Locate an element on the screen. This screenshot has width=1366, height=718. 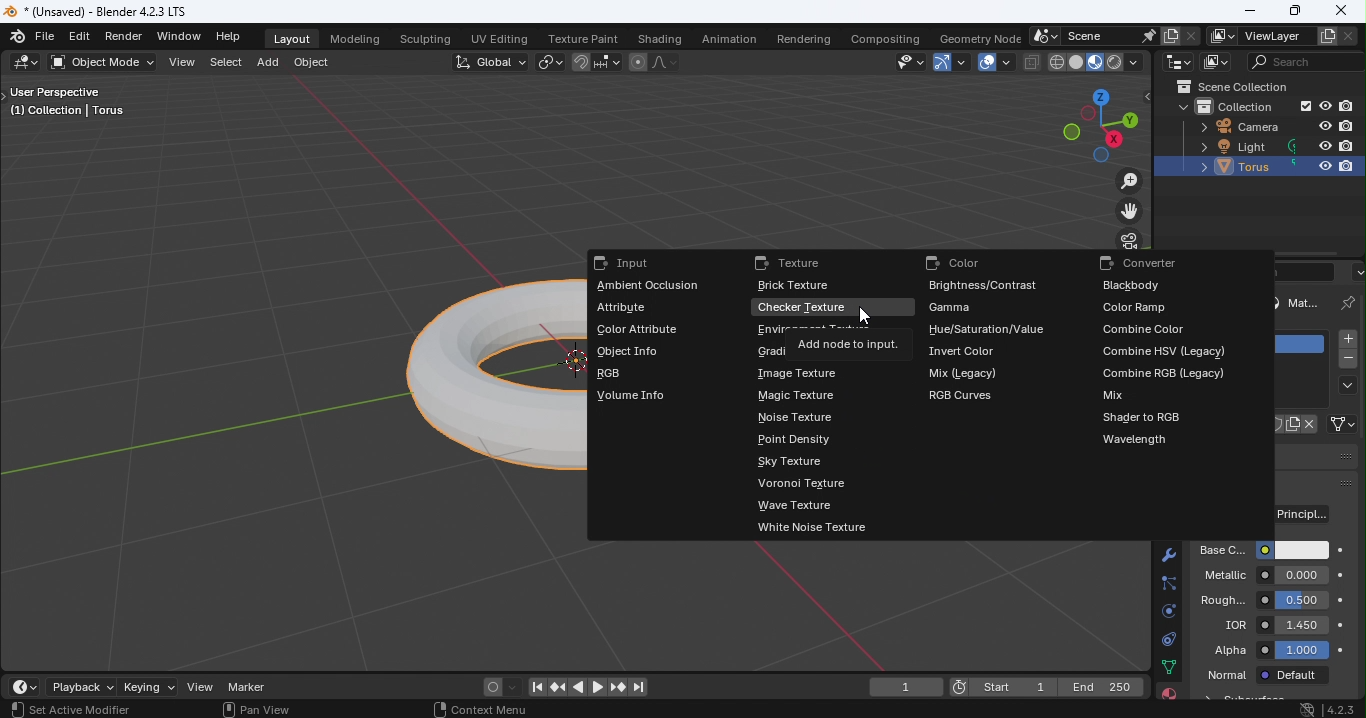
Material specials is located at coordinates (1345, 386).